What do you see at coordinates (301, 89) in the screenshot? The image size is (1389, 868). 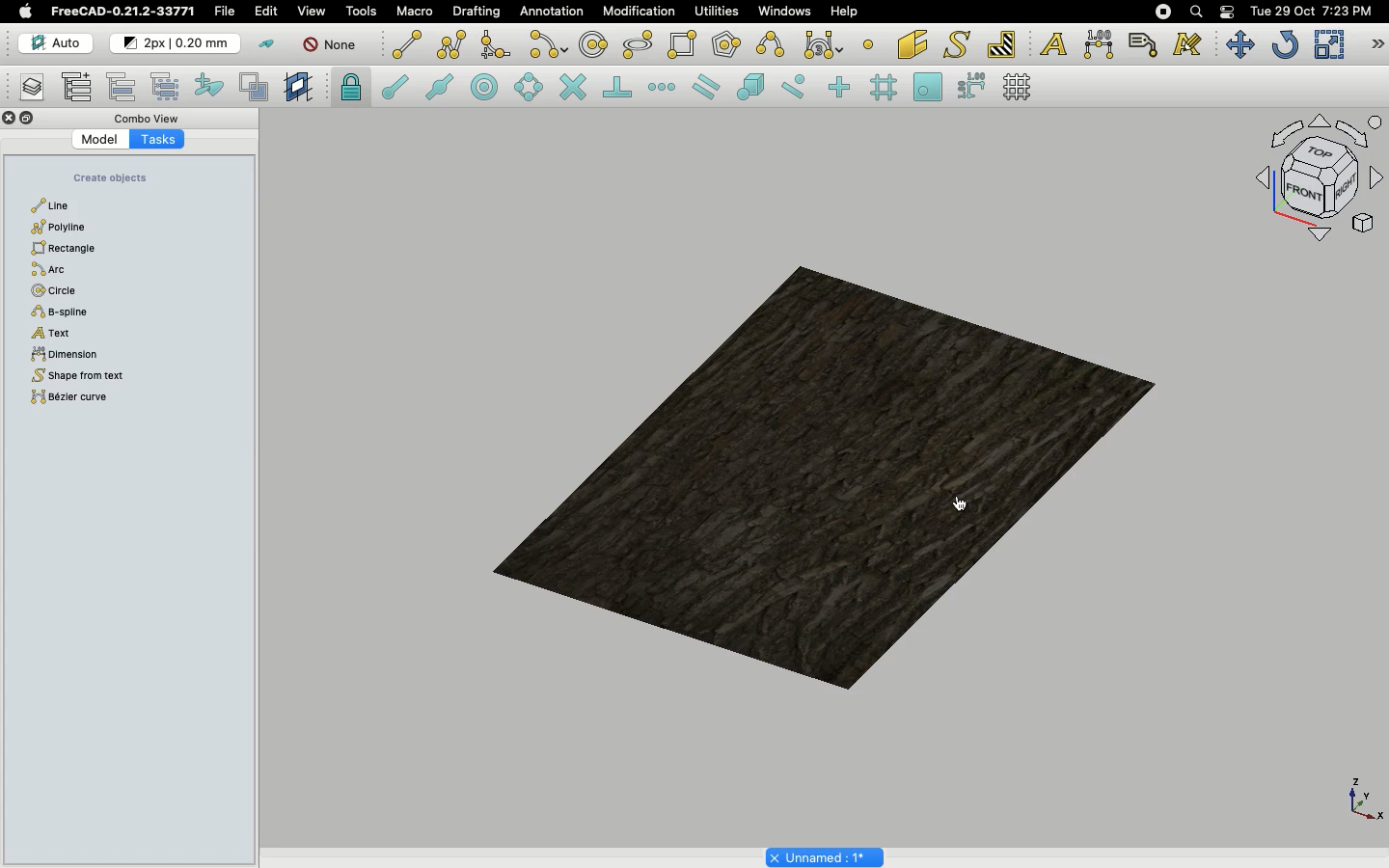 I see `Create working plane proxy` at bounding box center [301, 89].